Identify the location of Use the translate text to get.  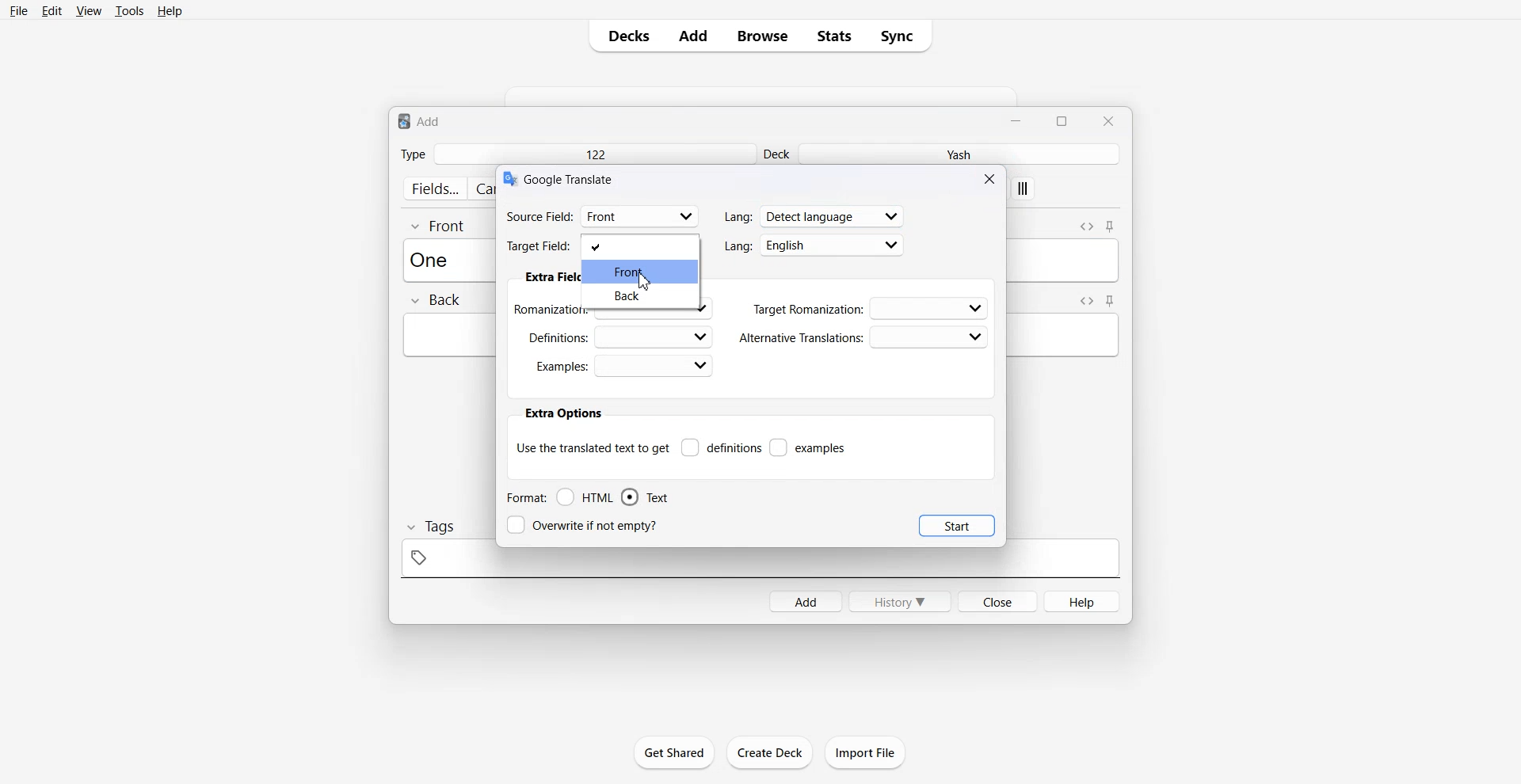
(593, 447).